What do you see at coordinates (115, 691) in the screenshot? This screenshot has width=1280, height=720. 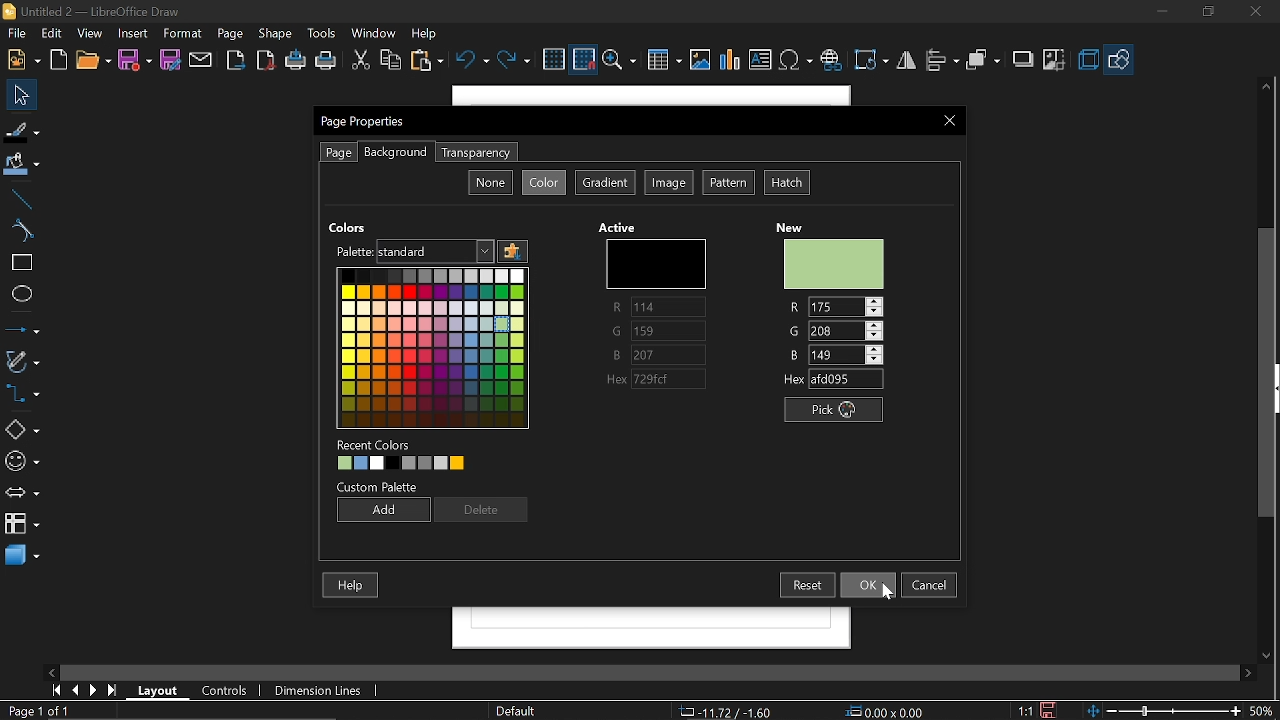 I see `Go to last page` at bounding box center [115, 691].